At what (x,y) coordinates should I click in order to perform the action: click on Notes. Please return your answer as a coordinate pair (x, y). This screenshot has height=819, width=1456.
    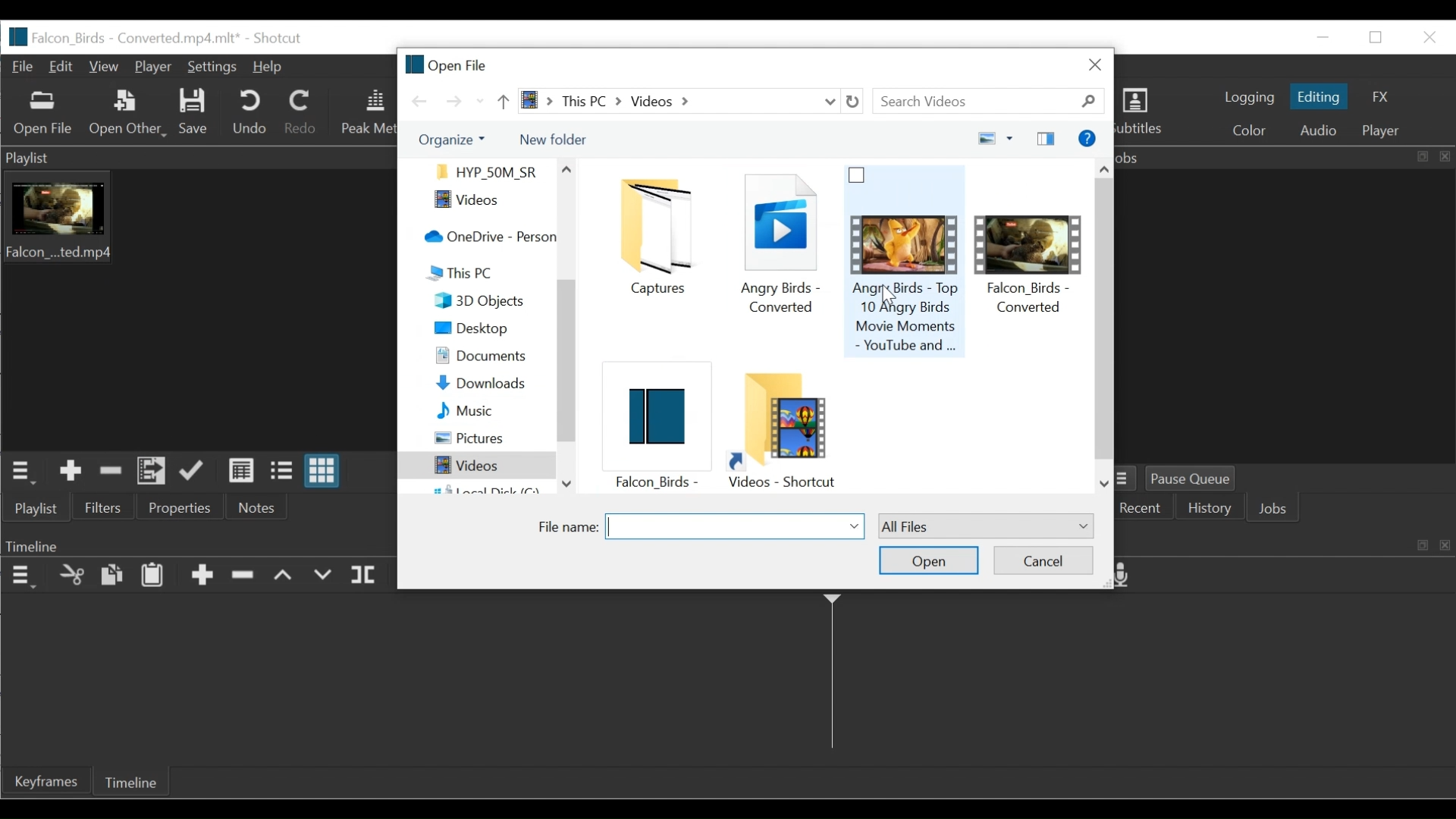
    Looking at the image, I should click on (256, 507).